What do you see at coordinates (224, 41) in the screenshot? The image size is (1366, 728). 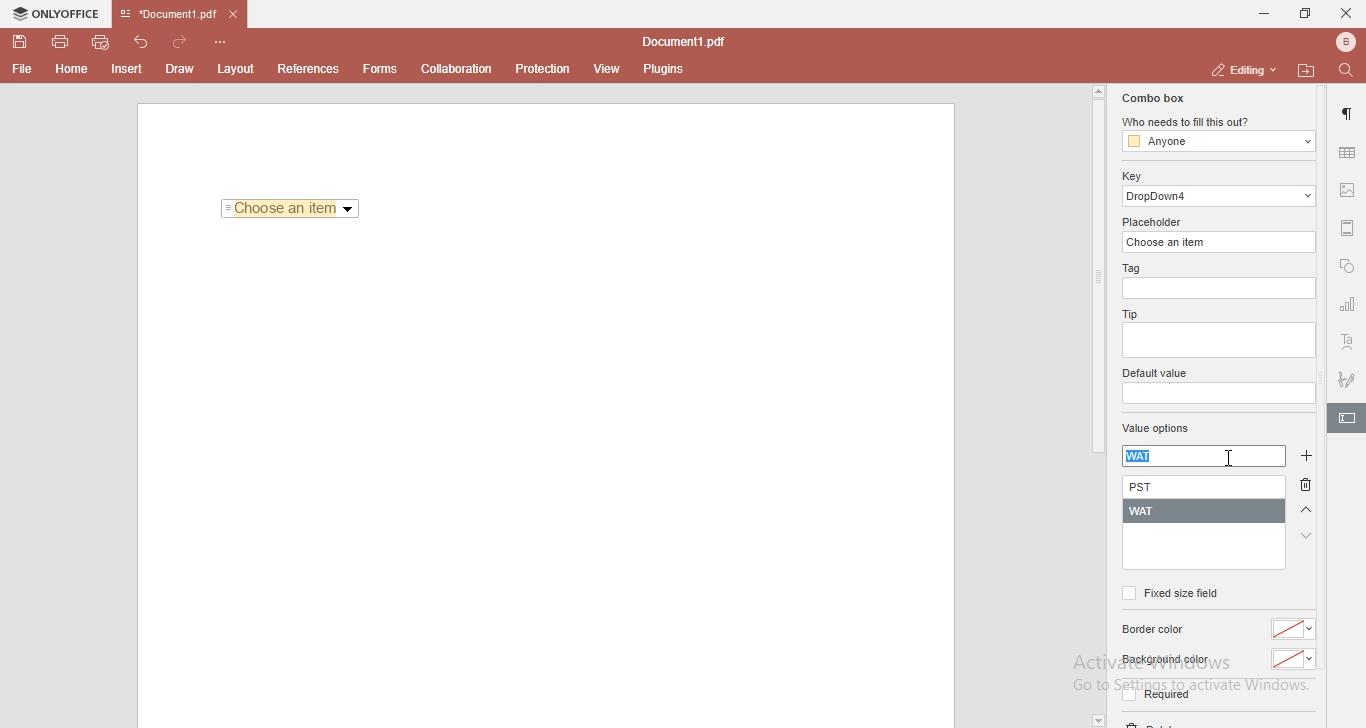 I see `customise quick access toolbar` at bounding box center [224, 41].